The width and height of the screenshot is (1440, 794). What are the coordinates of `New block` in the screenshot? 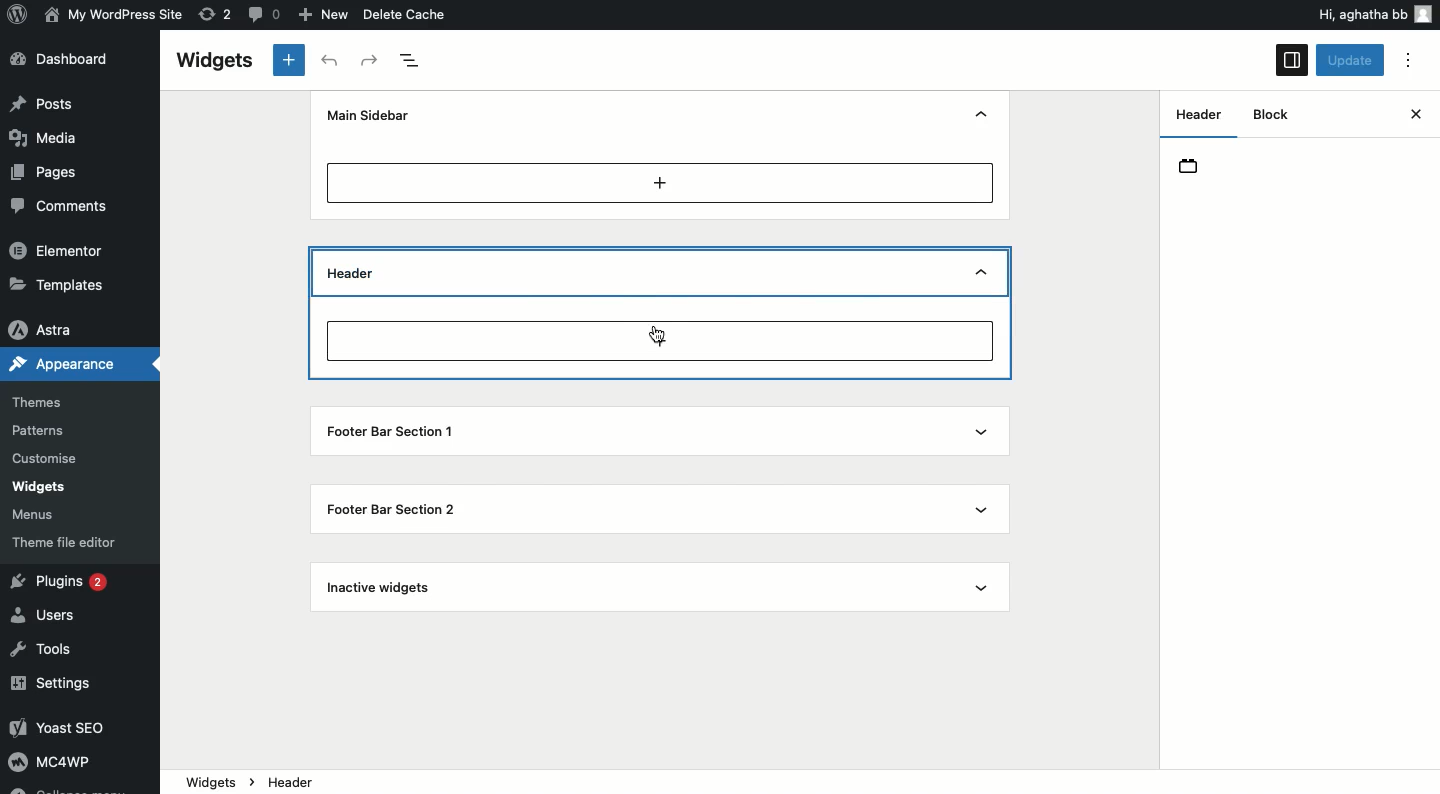 It's located at (290, 60).